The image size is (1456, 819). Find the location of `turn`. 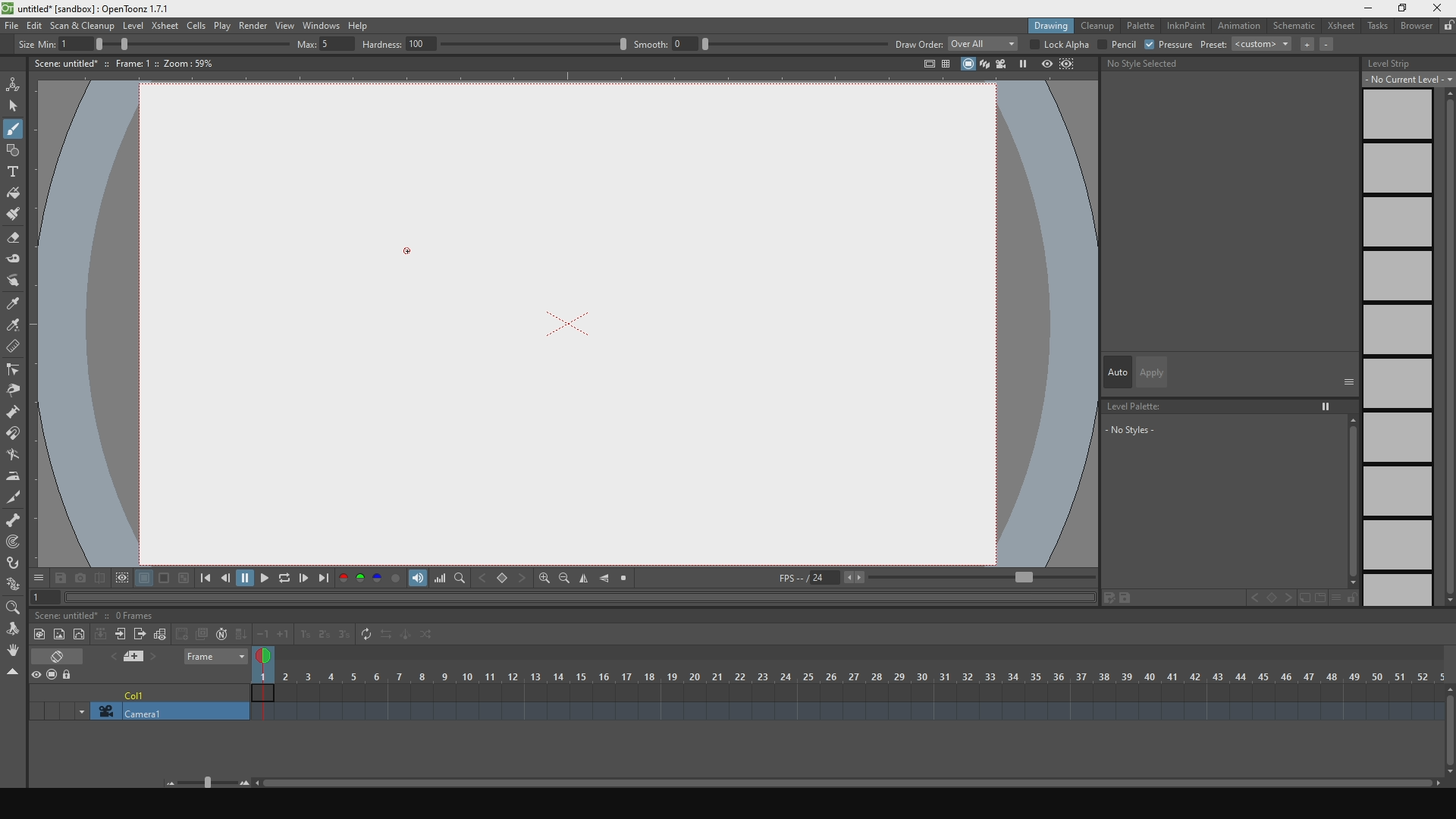

turn is located at coordinates (17, 457).